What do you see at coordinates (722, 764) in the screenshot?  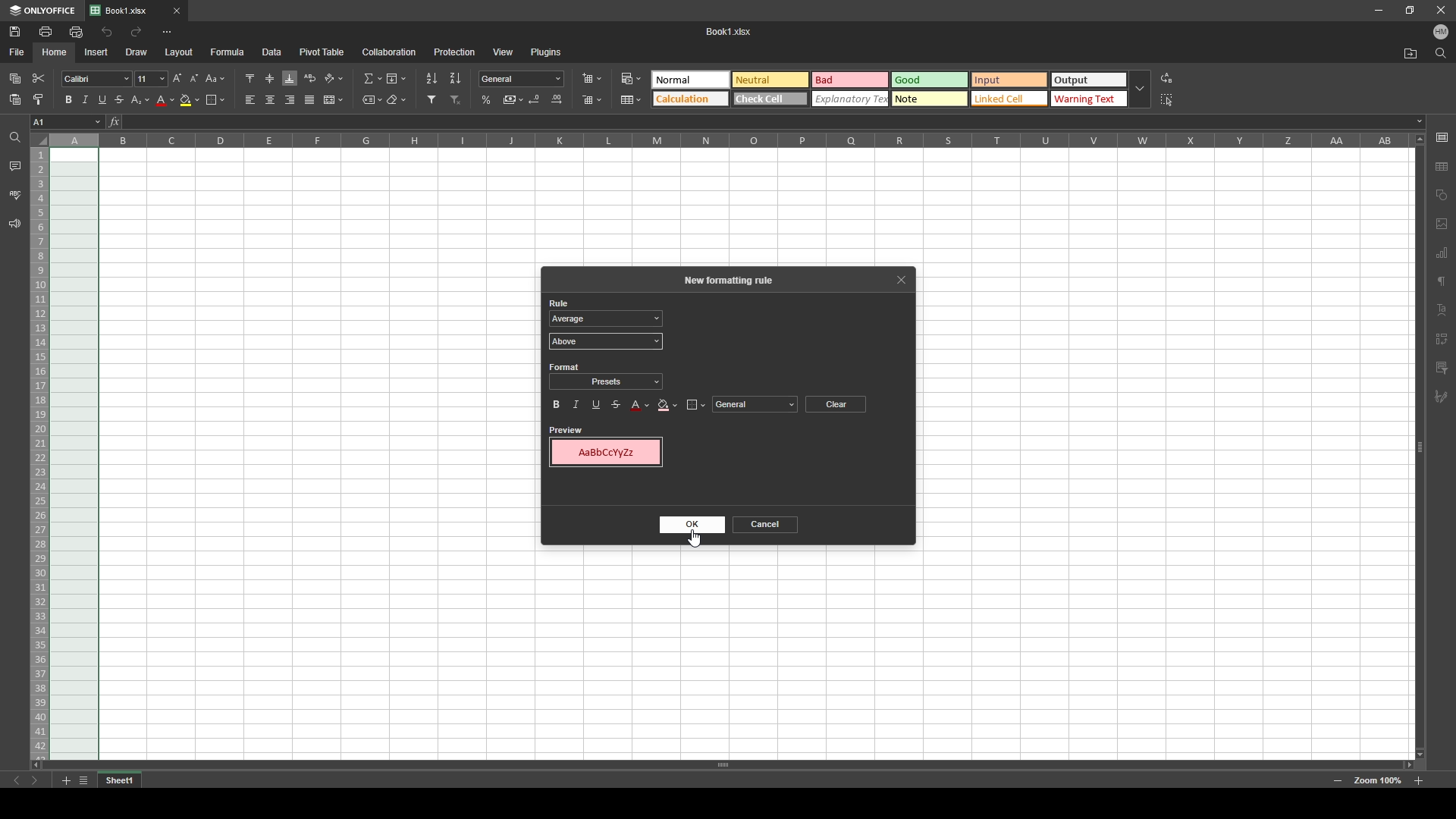 I see `scroll bar` at bounding box center [722, 764].